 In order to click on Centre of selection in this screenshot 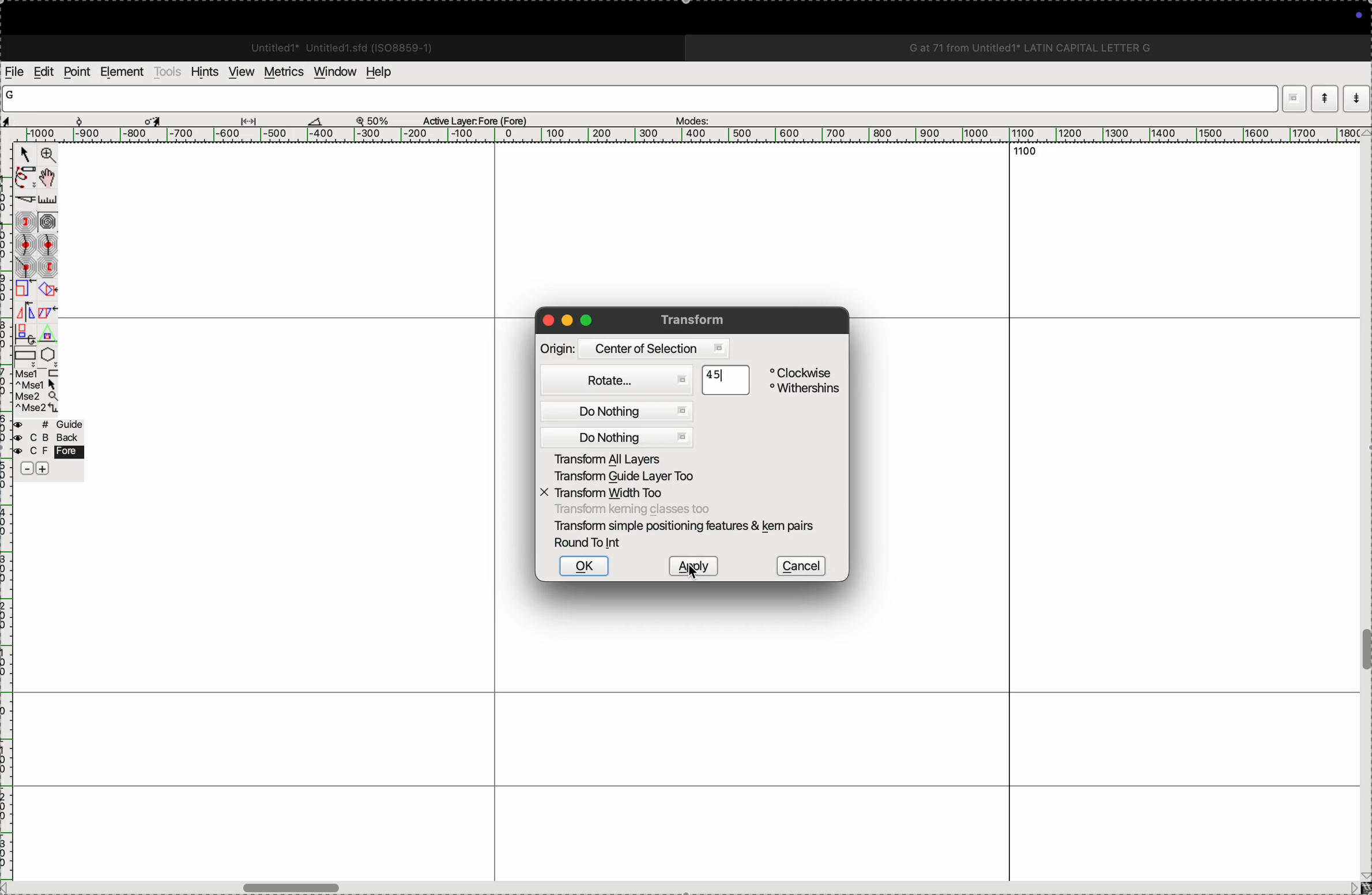, I will do `click(664, 350)`.